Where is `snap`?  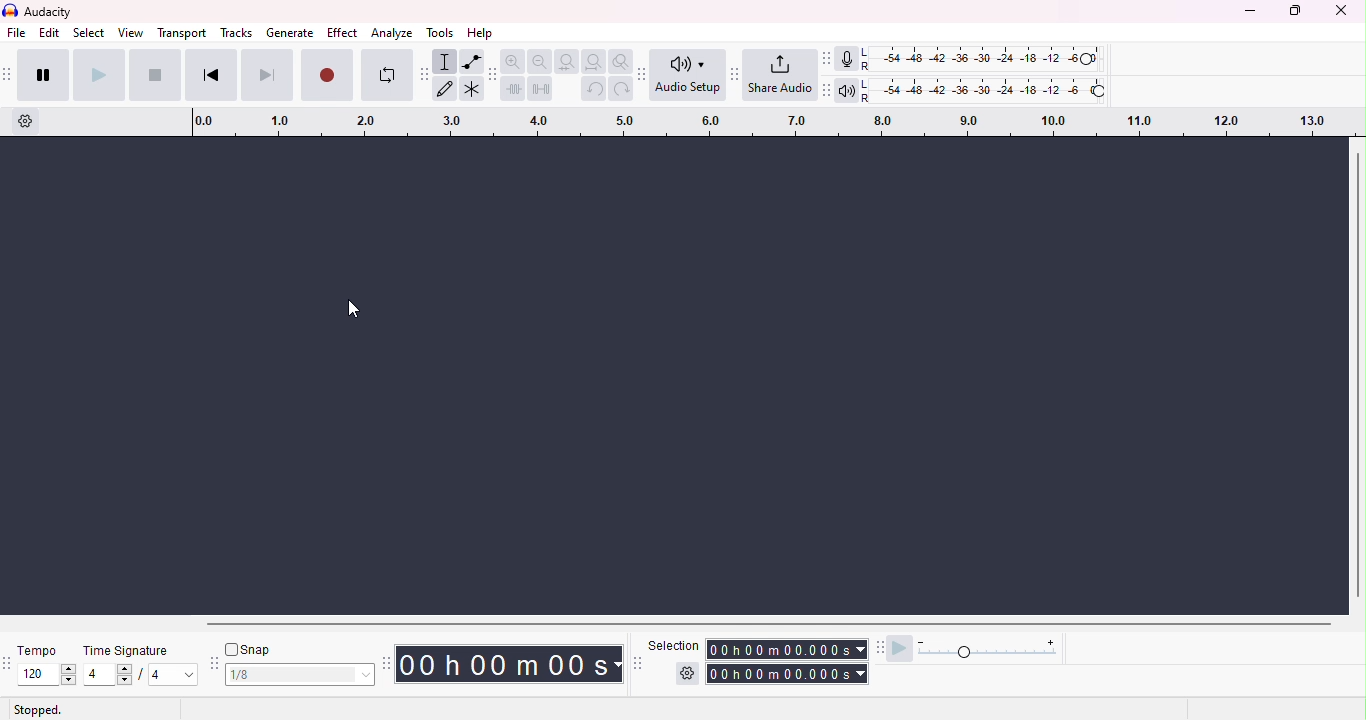 snap is located at coordinates (251, 651).